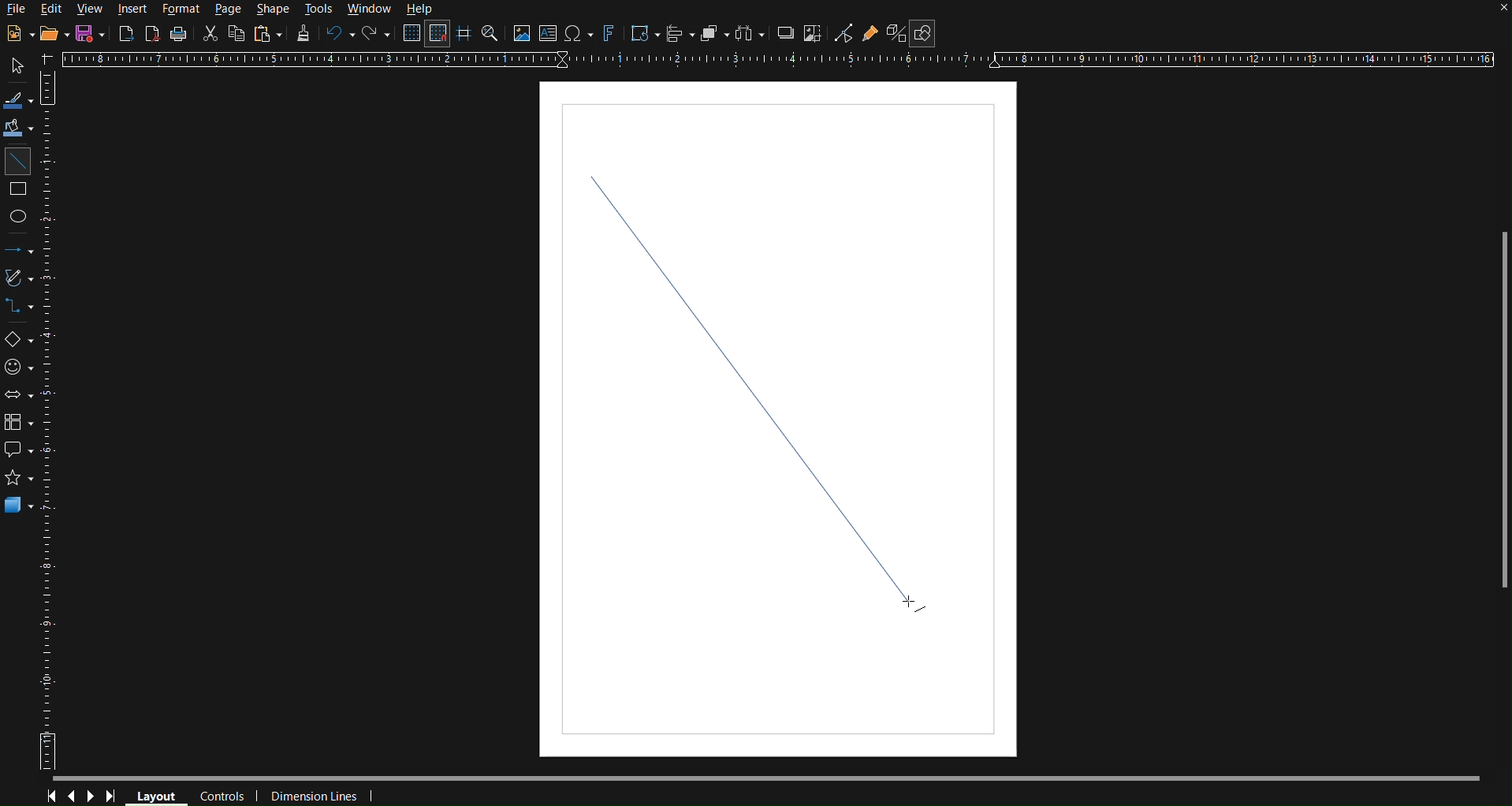 This screenshot has height=806, width=1512. Describe the element at coordinates (610, 33) in the screenshot. I see `Fontworks` at that location.